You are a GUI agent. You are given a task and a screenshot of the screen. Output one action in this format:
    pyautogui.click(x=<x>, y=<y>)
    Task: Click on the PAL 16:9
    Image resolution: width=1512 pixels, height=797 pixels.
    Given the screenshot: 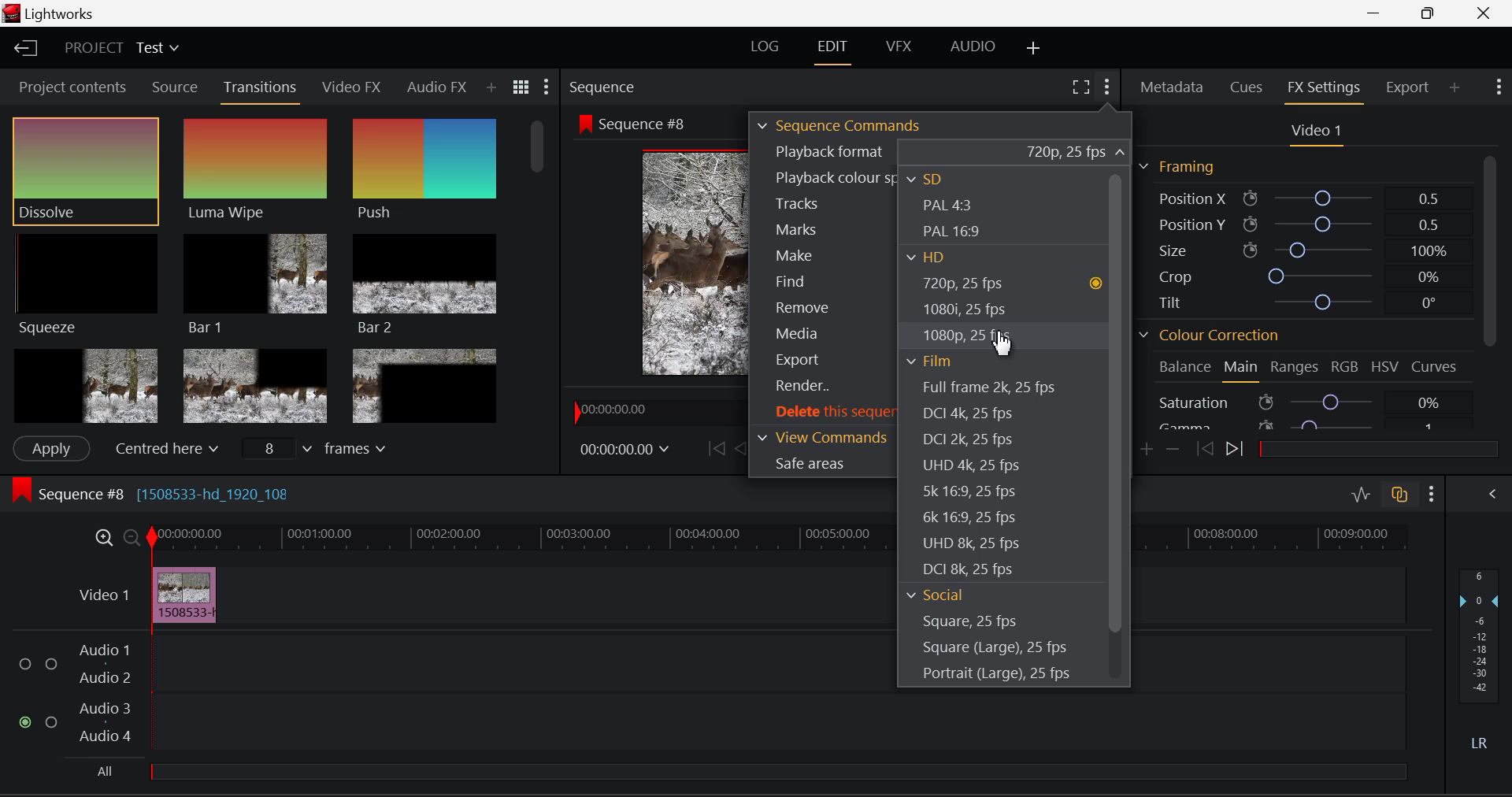 What is the action you would take?
    pyautogui.click(x=954, y=232)
    